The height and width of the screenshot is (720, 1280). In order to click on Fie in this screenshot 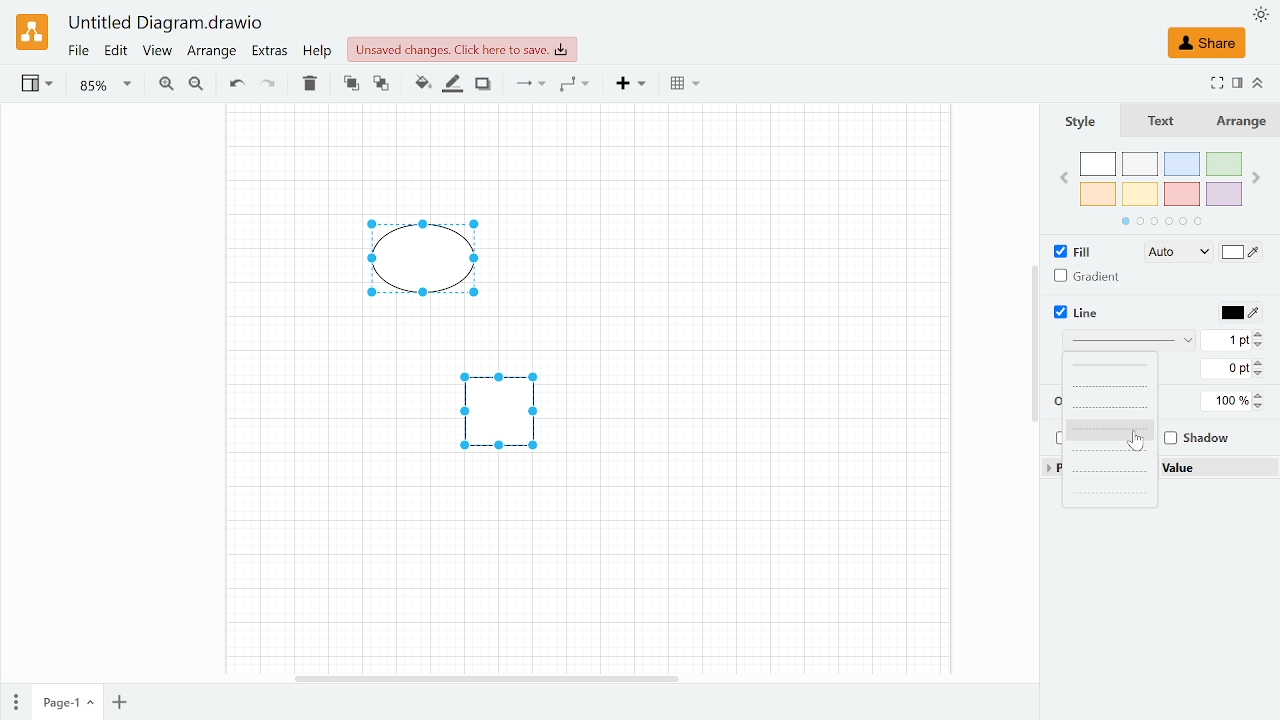, I will do `click(78, 52)`.